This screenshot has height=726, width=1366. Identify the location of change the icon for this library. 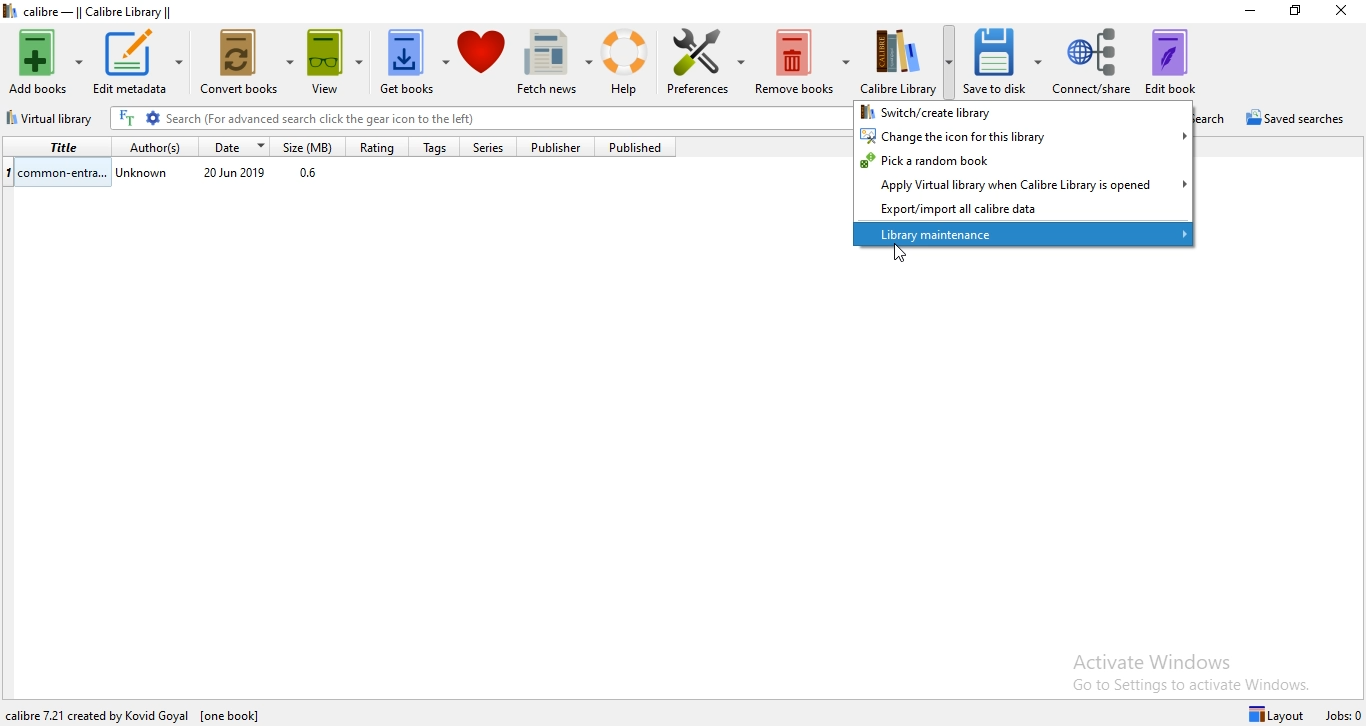
(1024, 135).